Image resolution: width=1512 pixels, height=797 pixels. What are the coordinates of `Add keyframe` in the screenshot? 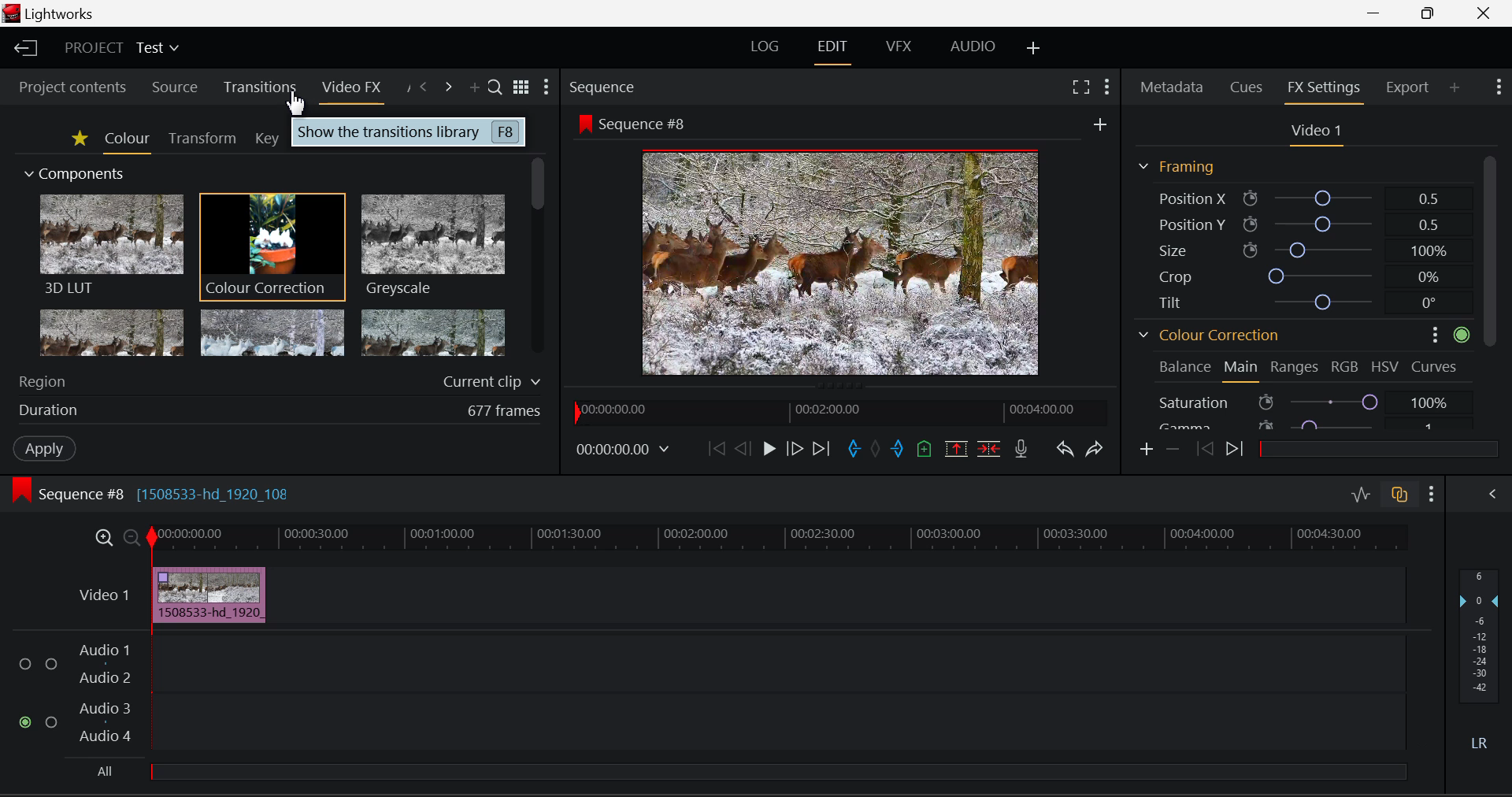 It's located at (1147, 450).